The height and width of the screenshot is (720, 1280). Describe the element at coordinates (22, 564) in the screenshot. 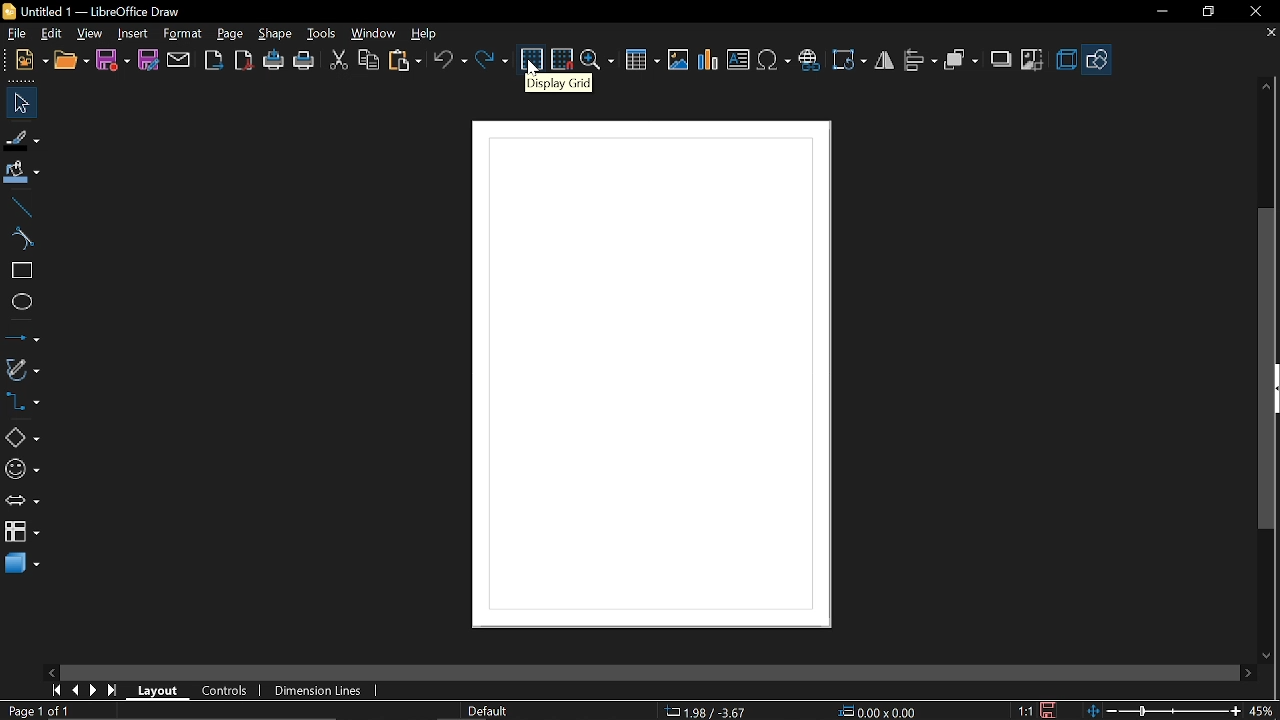

I see `3d effects` at that location.